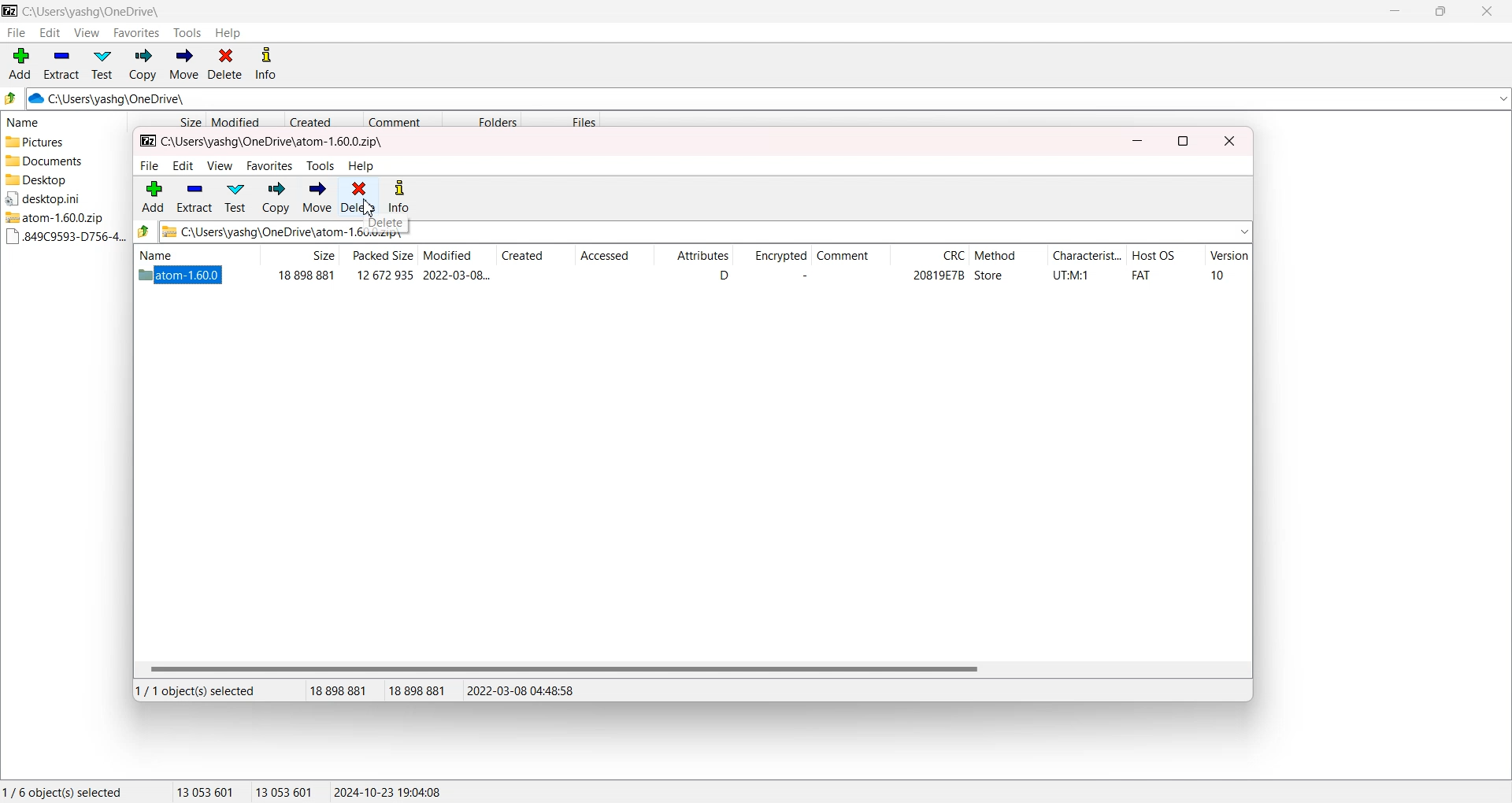 The height and width of the screenshot is (803, 1512). Describe the element at coordinates (1071, 276) in the screenshot. I see `UT:M:1` at that location.